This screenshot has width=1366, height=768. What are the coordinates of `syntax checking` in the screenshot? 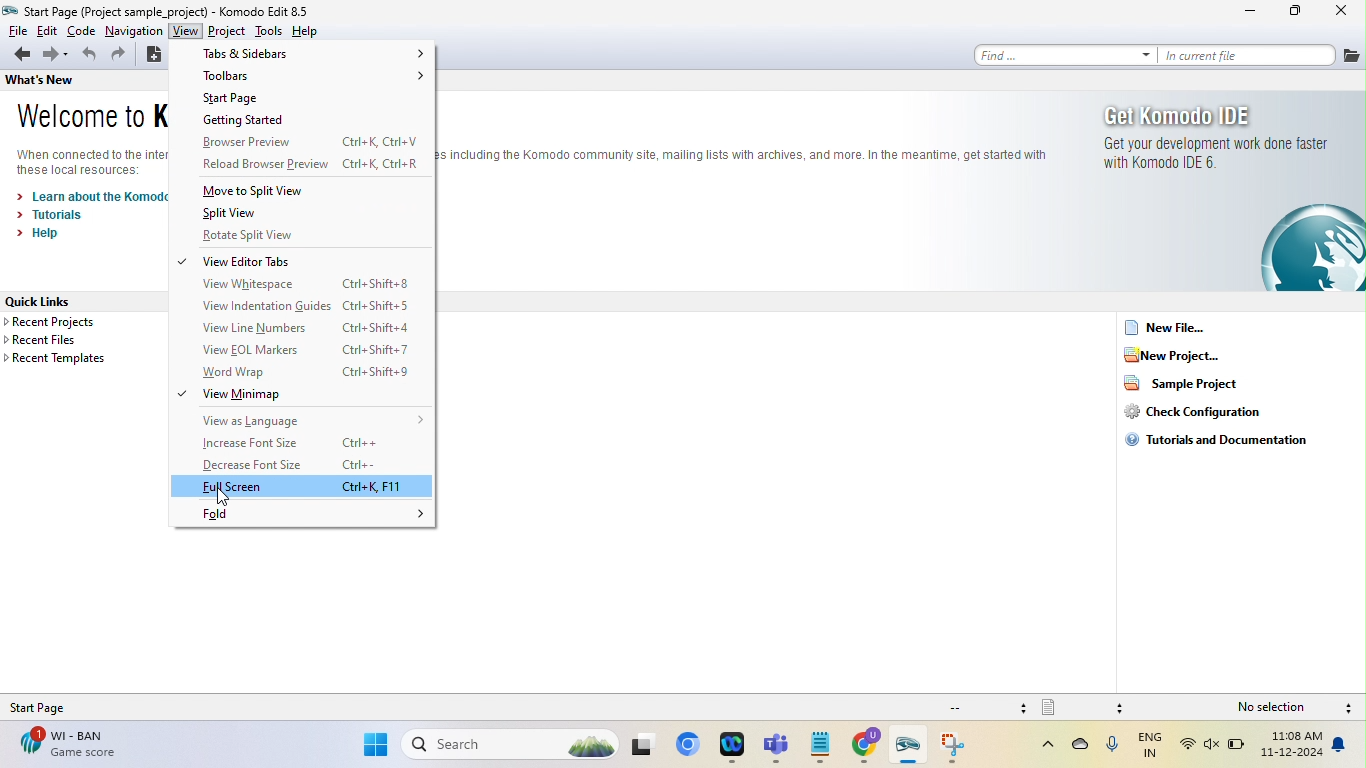 It's located at (1349, 709).